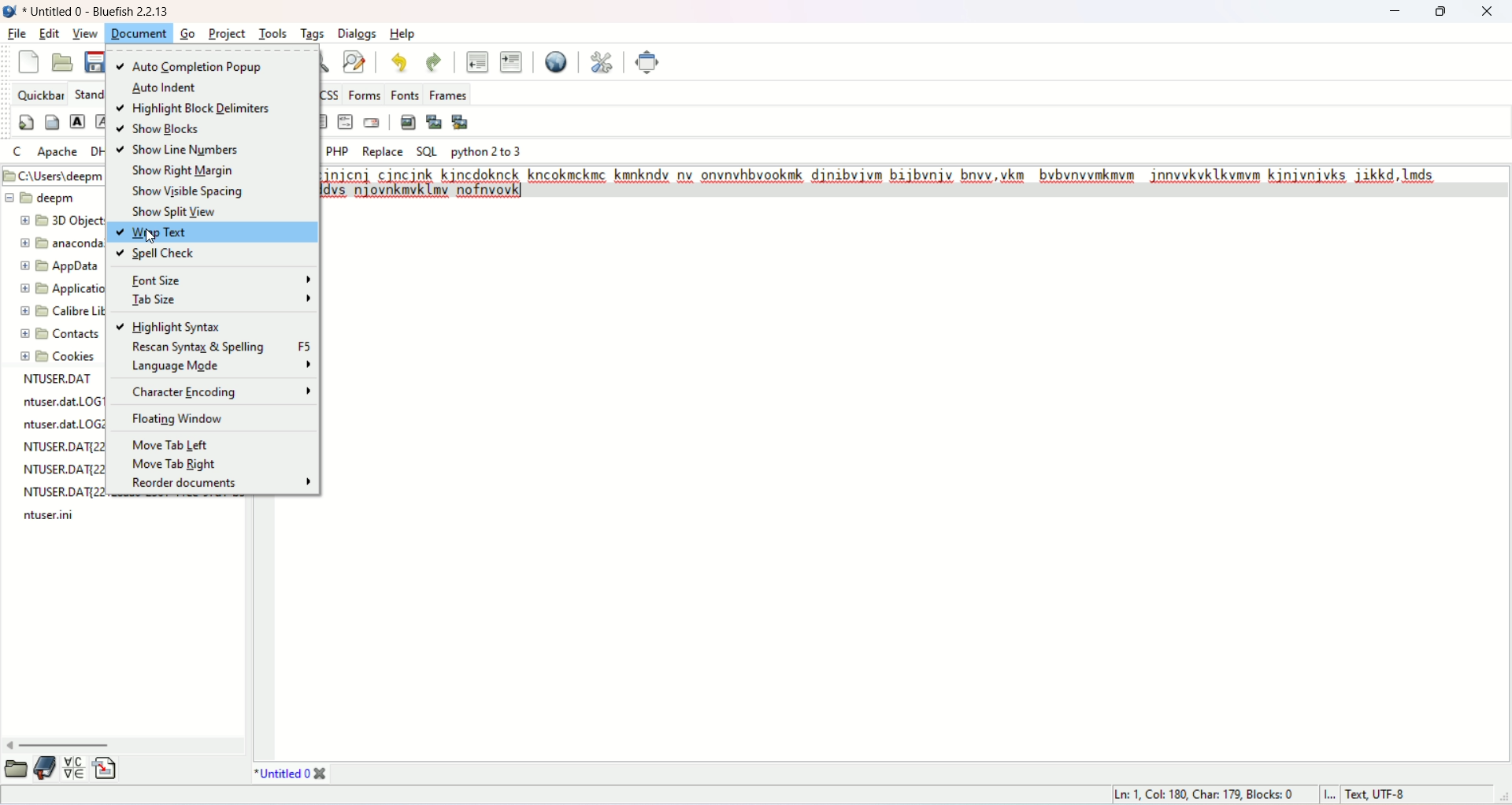 The height and width of the screenshot is (805, 1512). I want to click on HTML comment, so click(341, 123).